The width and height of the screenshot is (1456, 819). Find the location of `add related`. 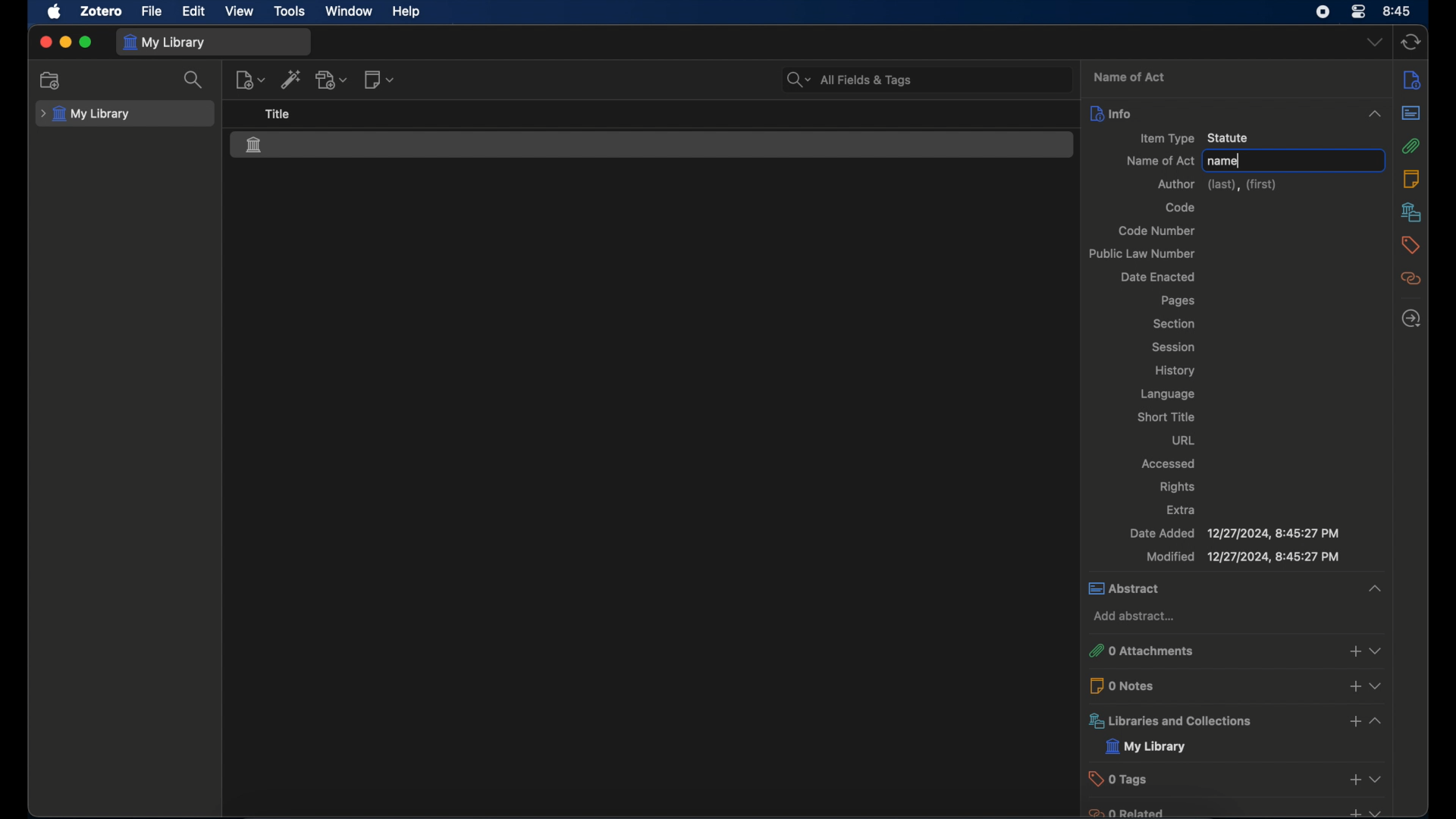

add related is located at coordinates (1353, 812).